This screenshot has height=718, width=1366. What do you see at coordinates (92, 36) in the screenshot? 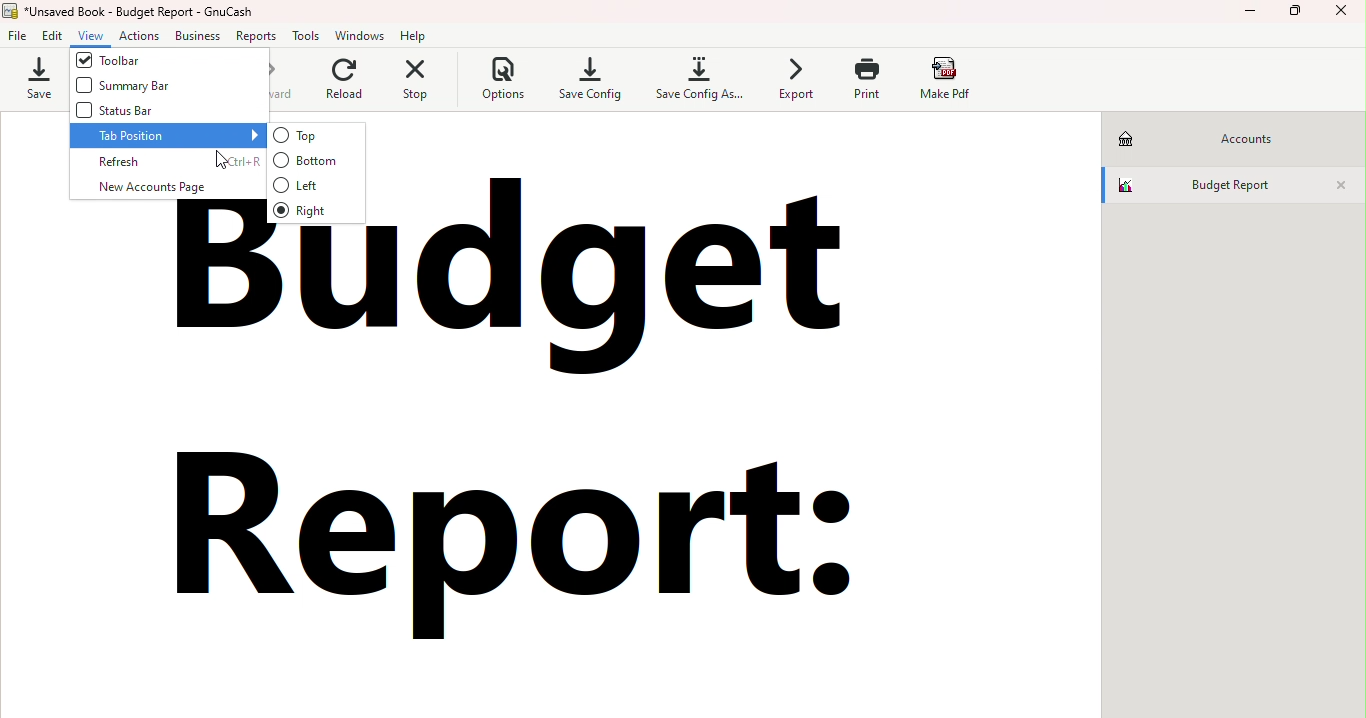
I see `View` at bounding box center [92, 36].